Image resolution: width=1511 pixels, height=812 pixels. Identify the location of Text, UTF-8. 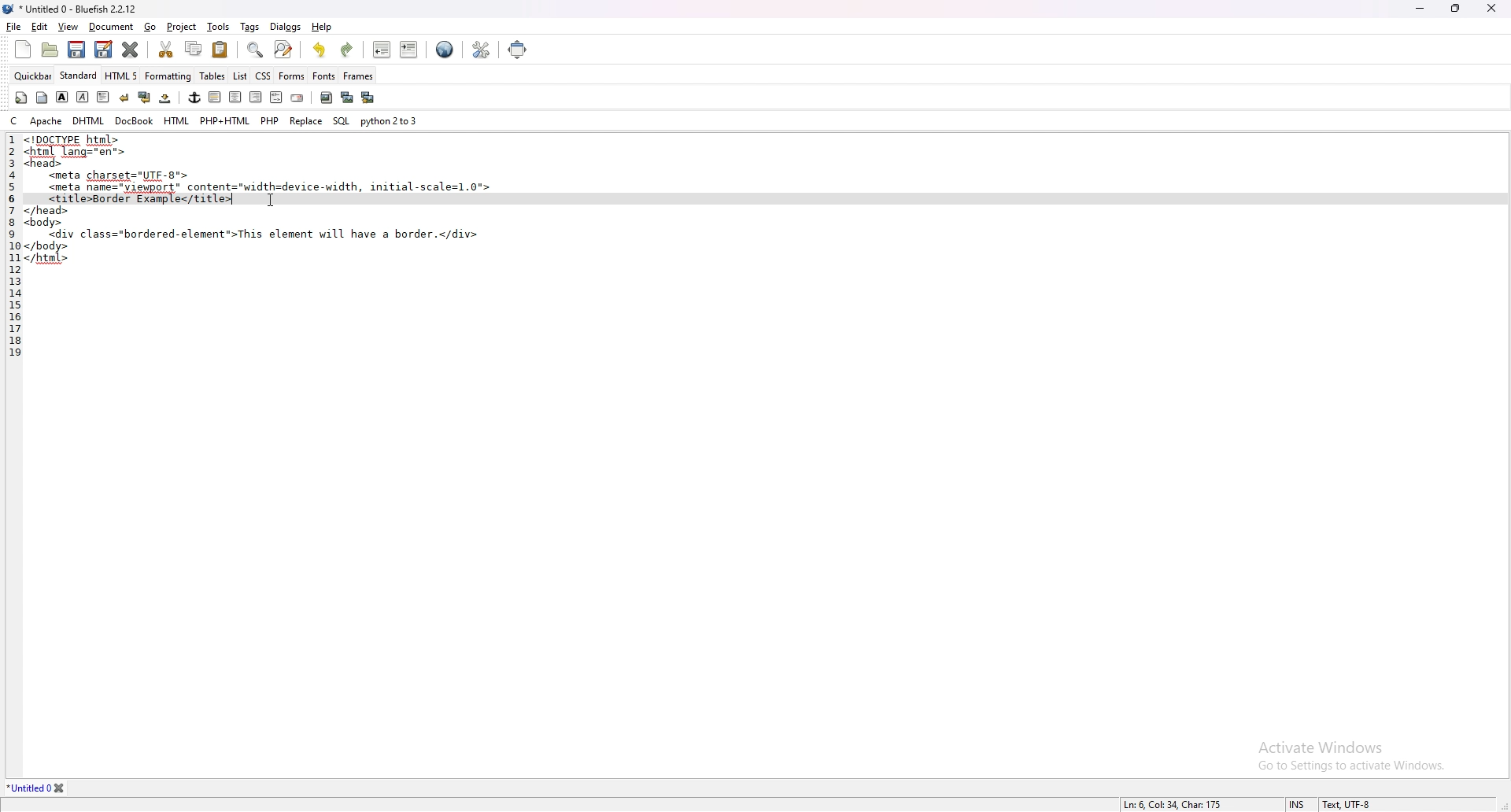
(1345, 804).